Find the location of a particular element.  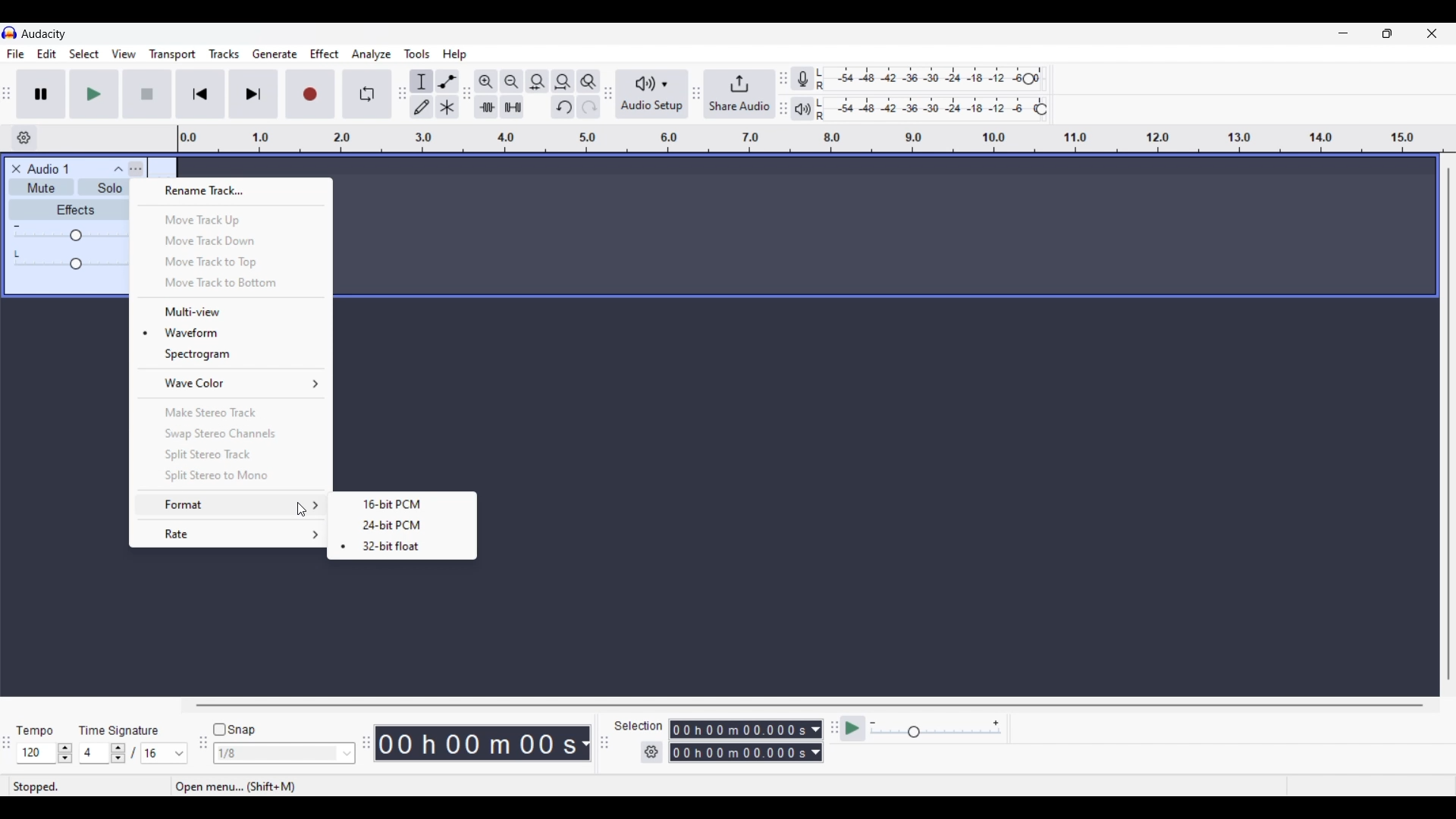

Snap toggle is located at coordinates (235, 730).